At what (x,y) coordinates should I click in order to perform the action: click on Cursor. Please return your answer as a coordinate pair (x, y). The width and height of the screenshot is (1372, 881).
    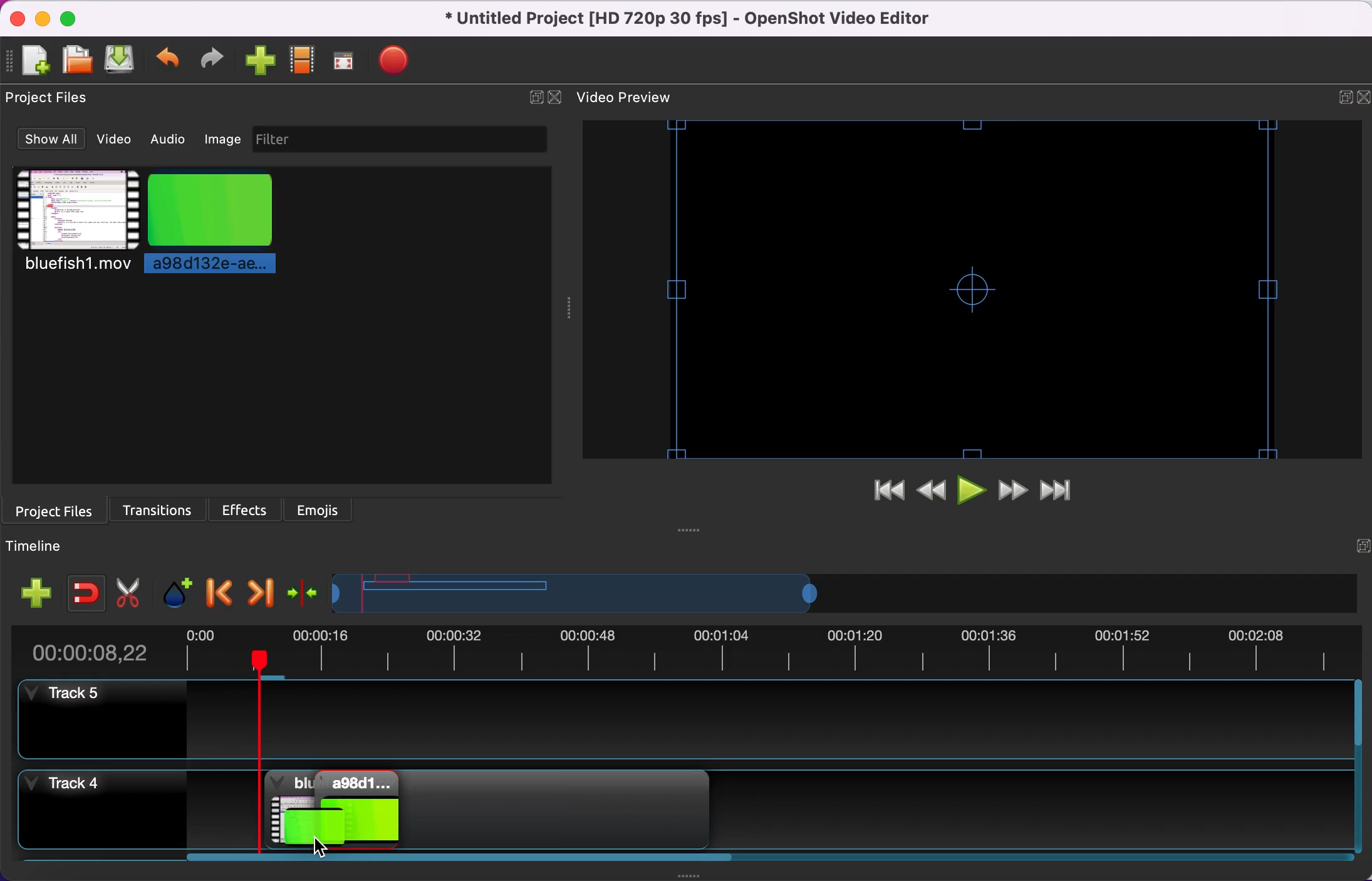
    Looking at the image, I should click on (324, 850).